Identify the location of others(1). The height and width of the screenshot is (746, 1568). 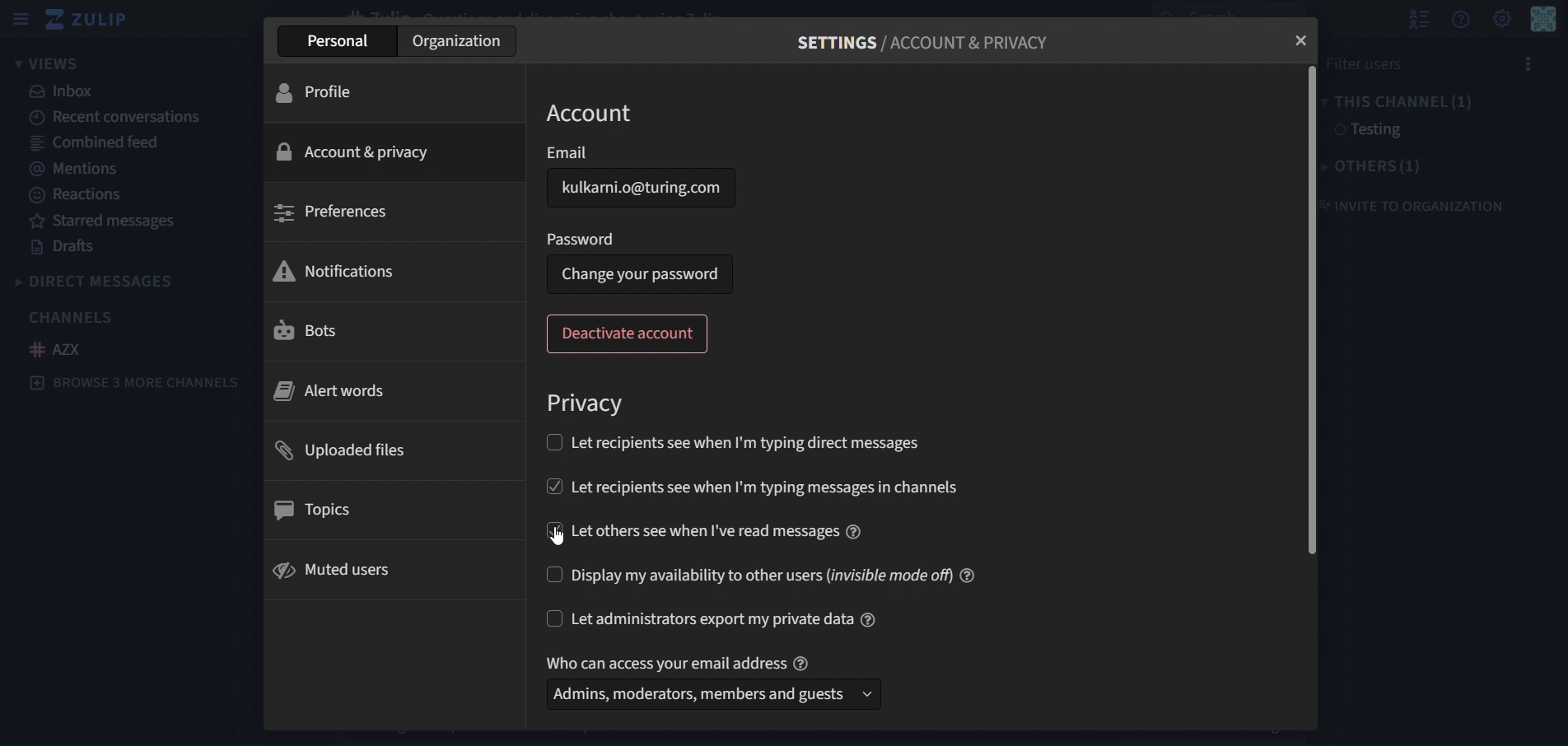
(1382, 165).